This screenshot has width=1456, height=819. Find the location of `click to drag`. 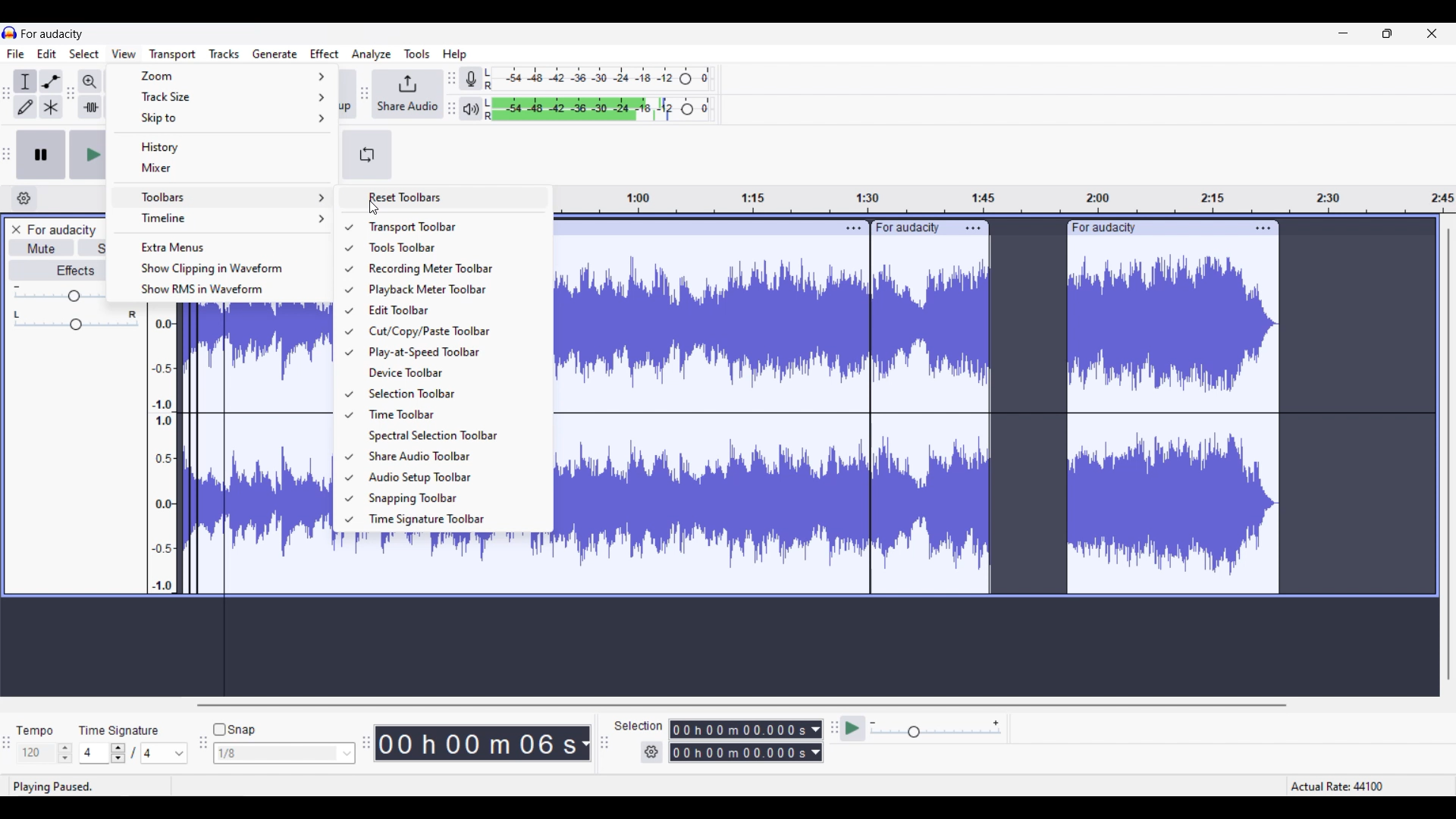

click to drag is located at coordinates (689, 228).